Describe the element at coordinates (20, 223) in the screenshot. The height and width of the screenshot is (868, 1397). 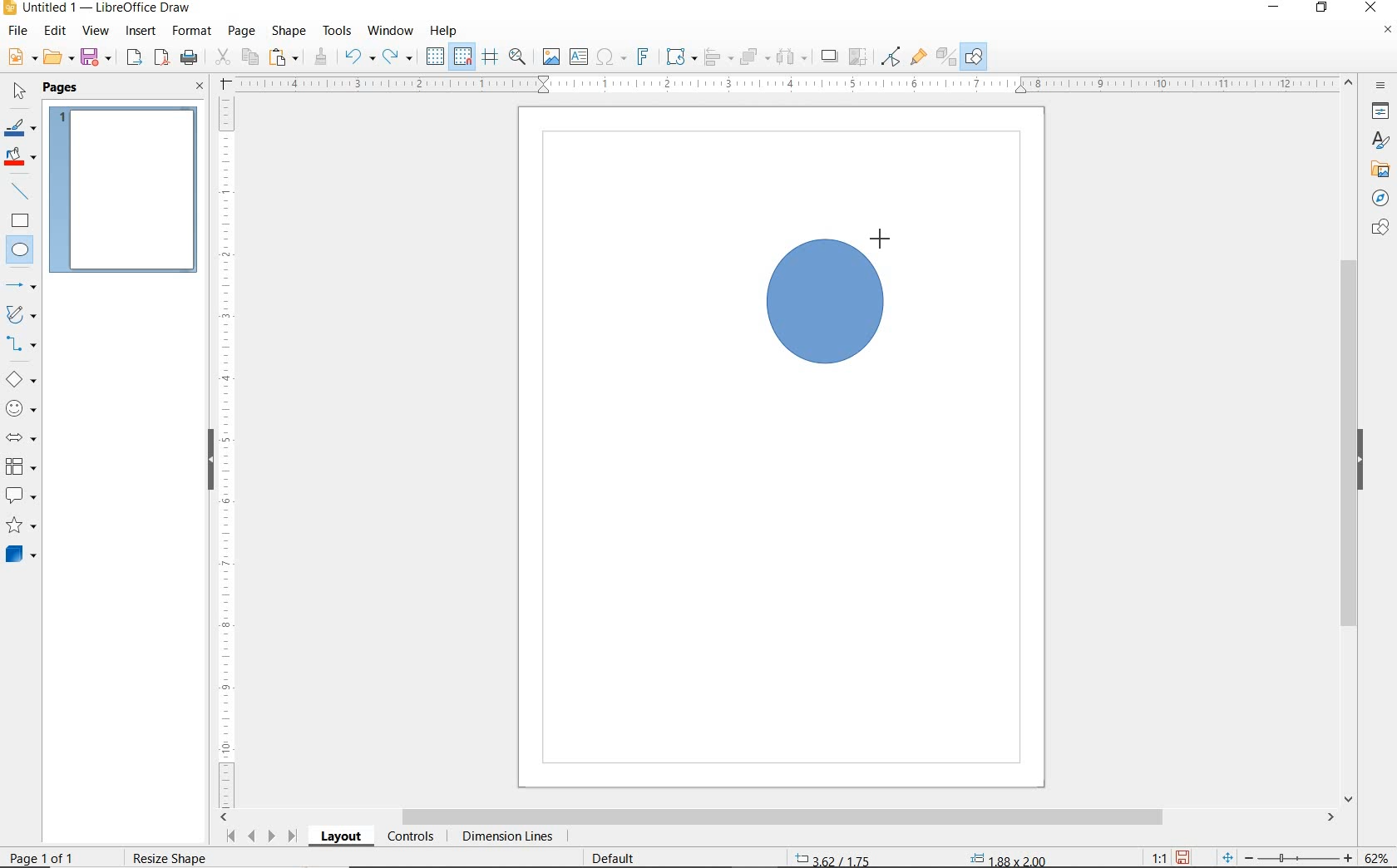
I see `RECTANGLE` at that location.